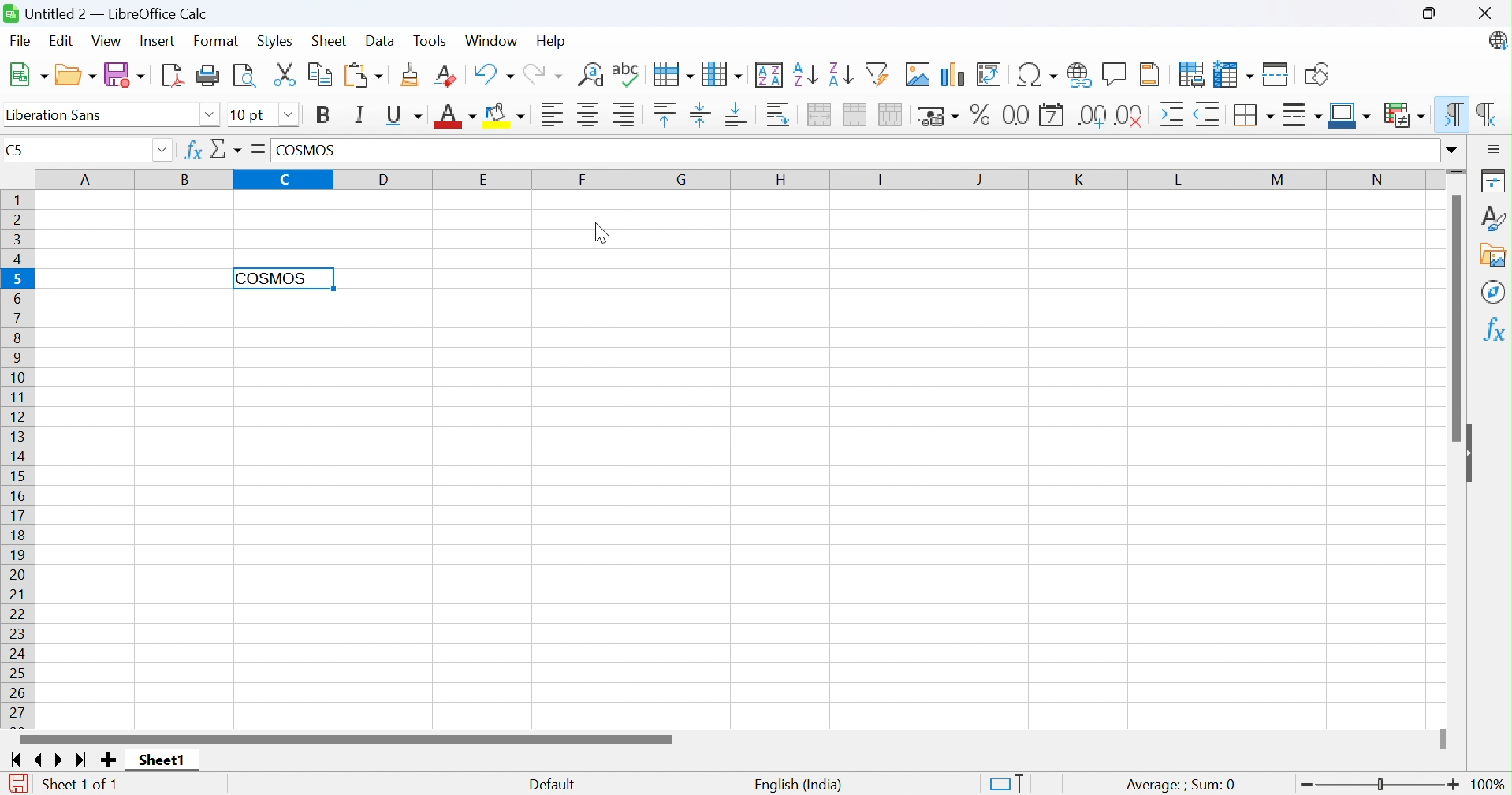 Image resolution: width=1512 pixels, height=795 pixels. What do you see at coordinates (855, 115) in the screenshot?
I see `Merge cells` at bounding box center [855, 115].